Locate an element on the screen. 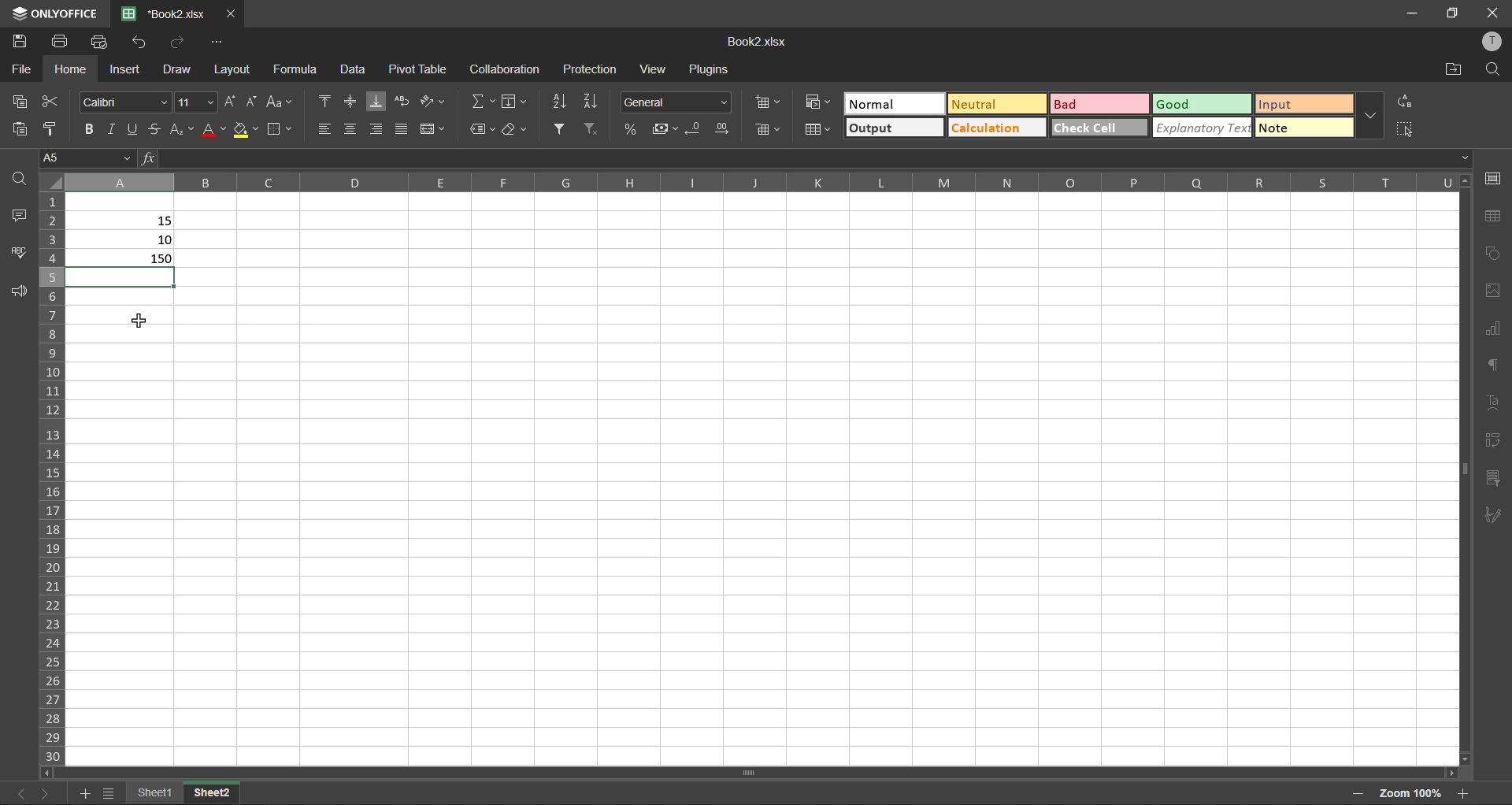 This screenshot has width=1512, height=805. align right is located at coordinates (379, 128).